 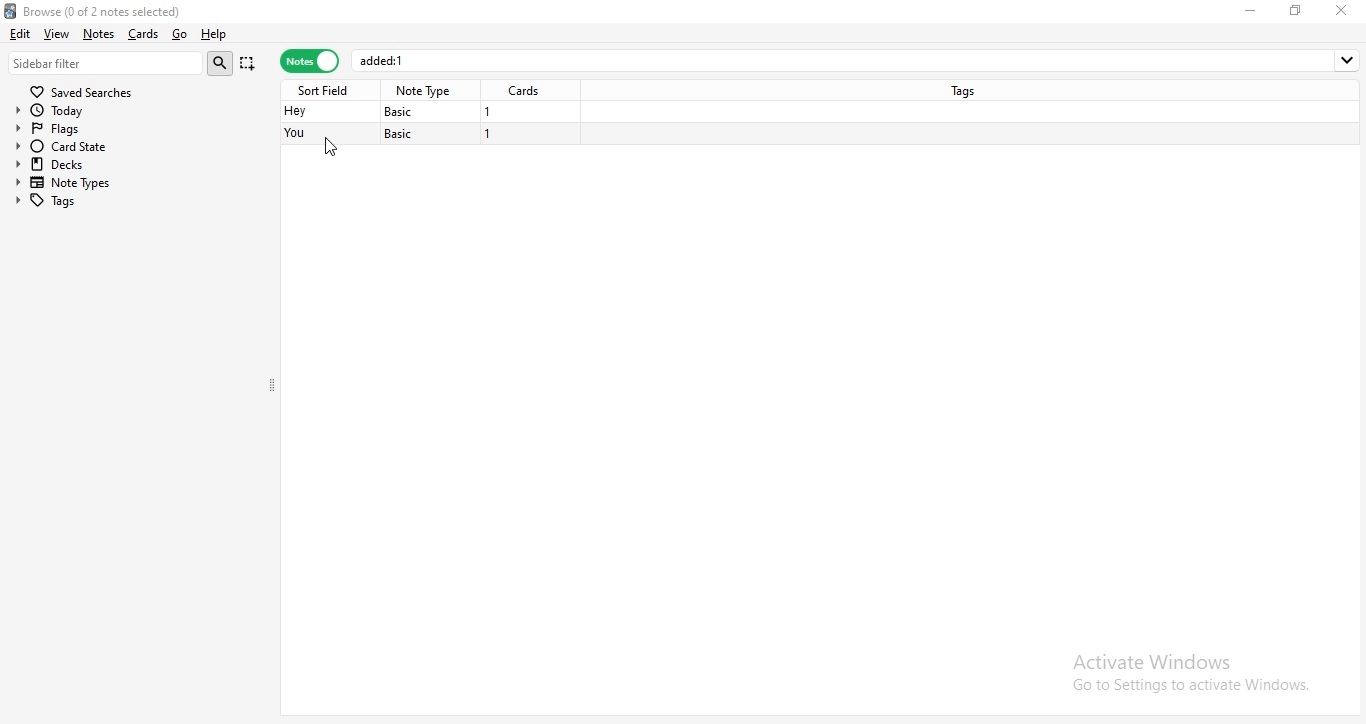 I want to click on cursor, so click(x=335, y=147).